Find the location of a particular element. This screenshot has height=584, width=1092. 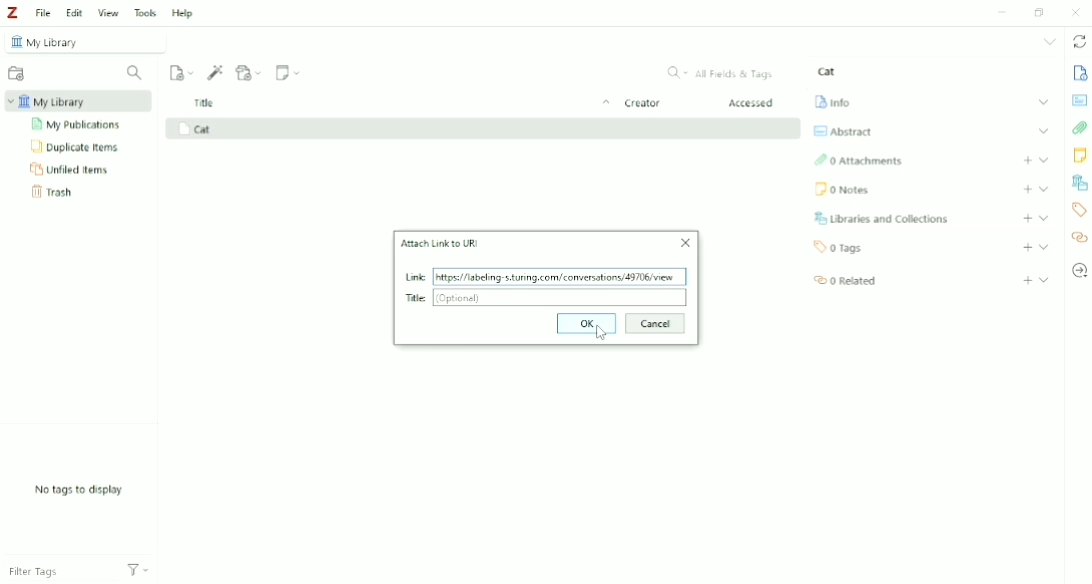

Add Attachment is located at coordinates (249, 72).